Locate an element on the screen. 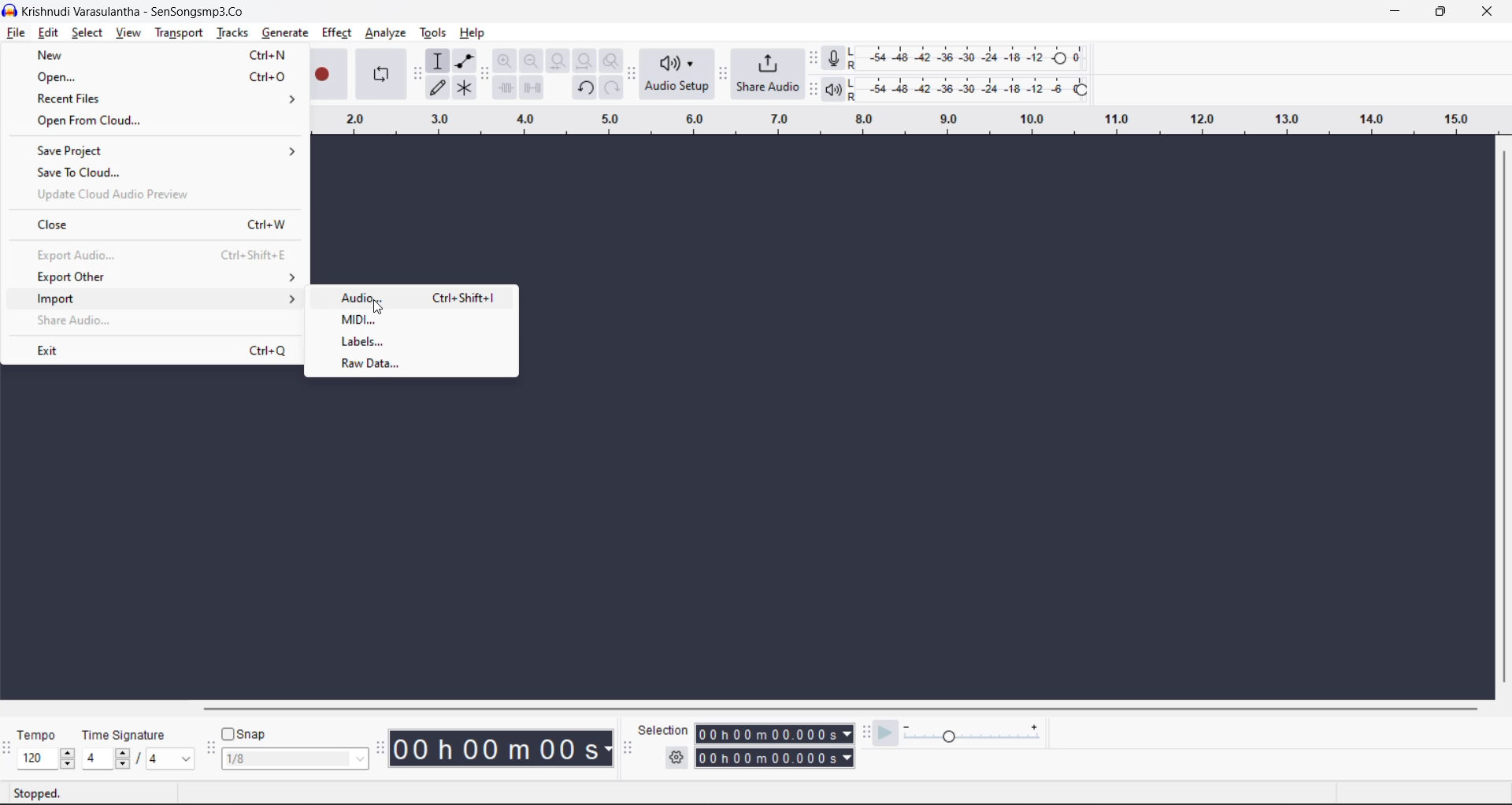  close is located at coordinates (1487, 12).